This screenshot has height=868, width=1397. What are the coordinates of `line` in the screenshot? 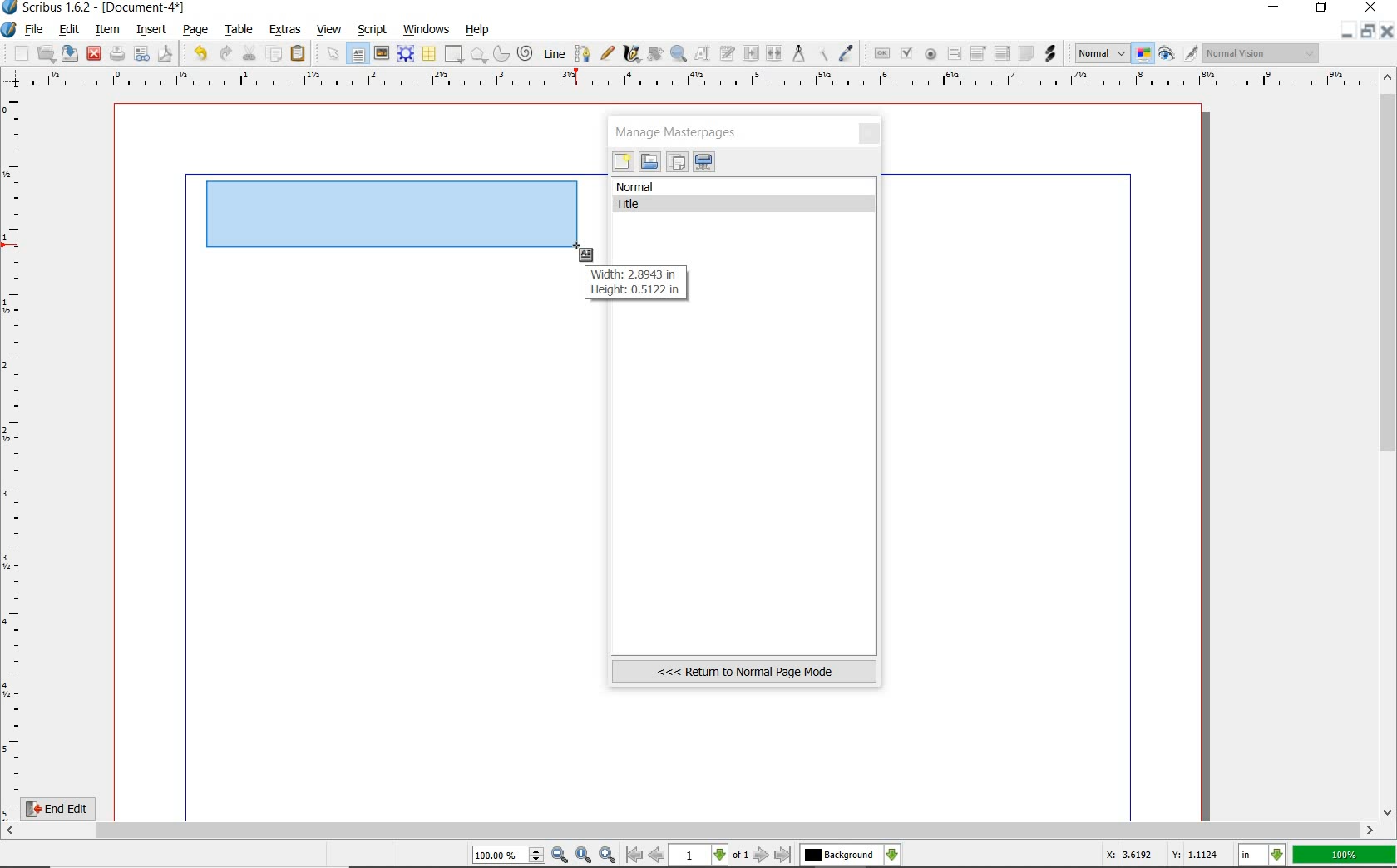 It's located at (553, 53).